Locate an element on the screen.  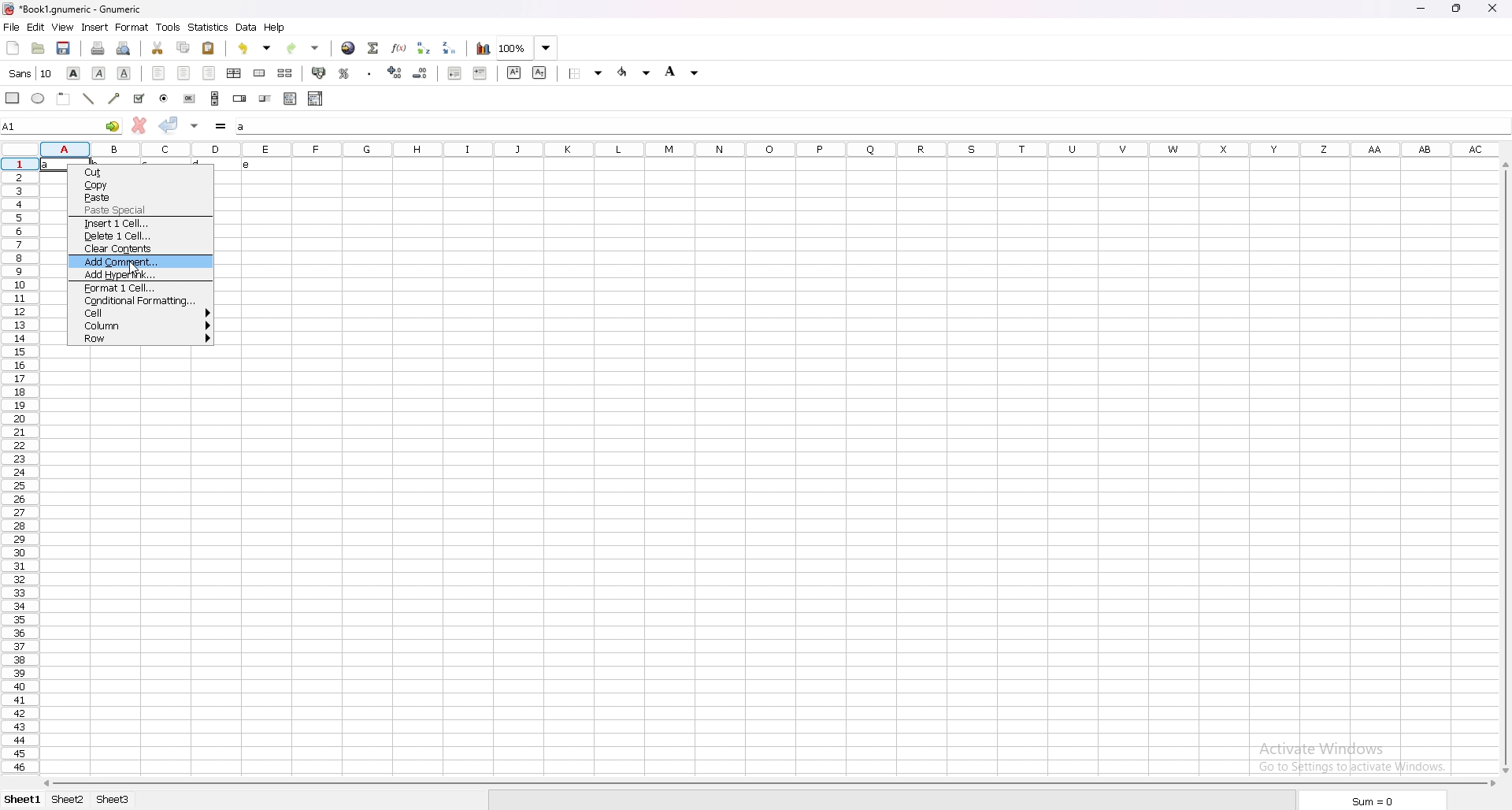
insert 1 cell is located at coordinates (141, 223).